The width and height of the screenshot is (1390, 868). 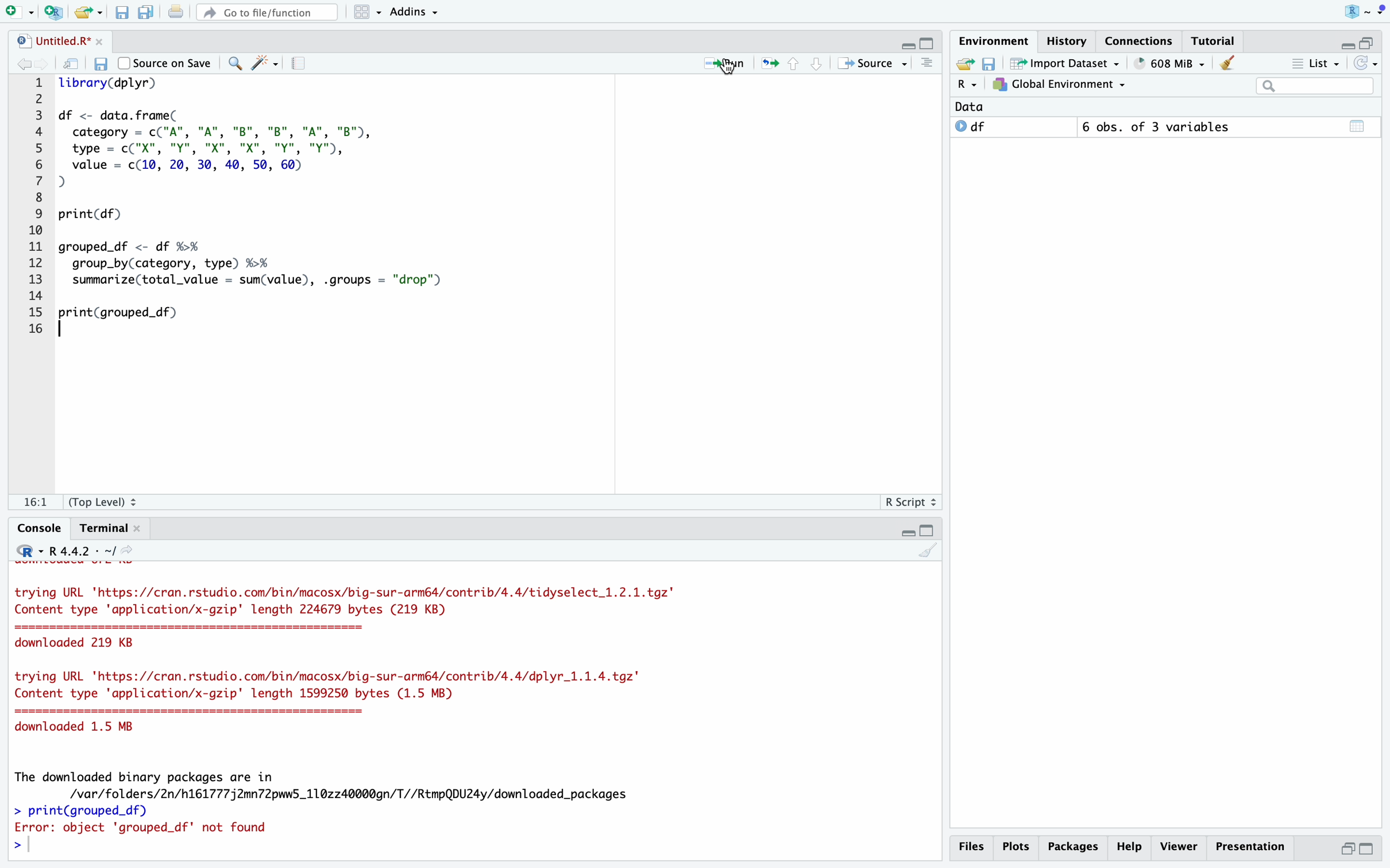 What do you see at coordinates (1018, 847) in the screenshot?
I see `Plots` at bounding box center [1018, 847].